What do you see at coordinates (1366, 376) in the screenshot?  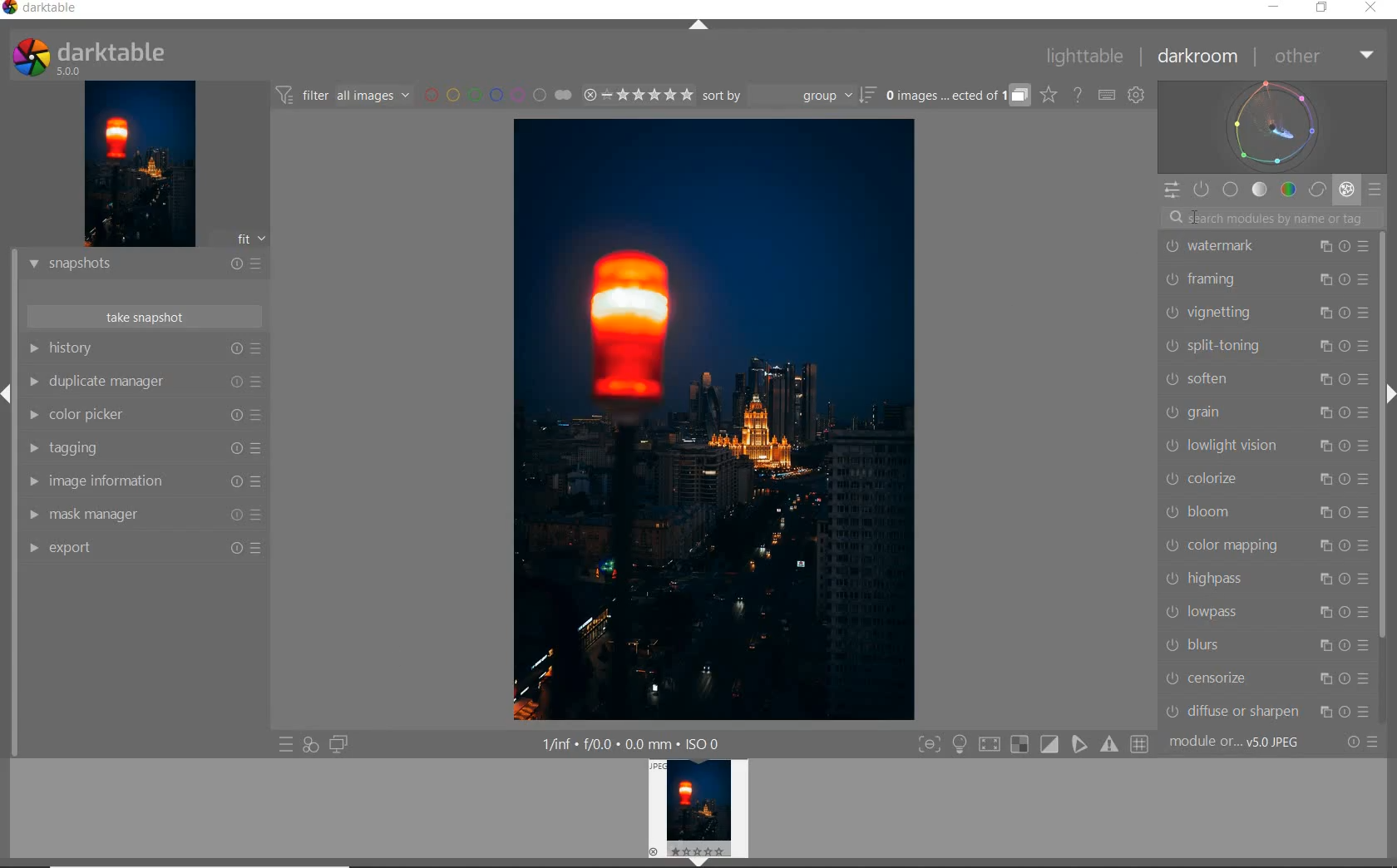 I see `Preset and reset` at bounding box center [1366, 376].